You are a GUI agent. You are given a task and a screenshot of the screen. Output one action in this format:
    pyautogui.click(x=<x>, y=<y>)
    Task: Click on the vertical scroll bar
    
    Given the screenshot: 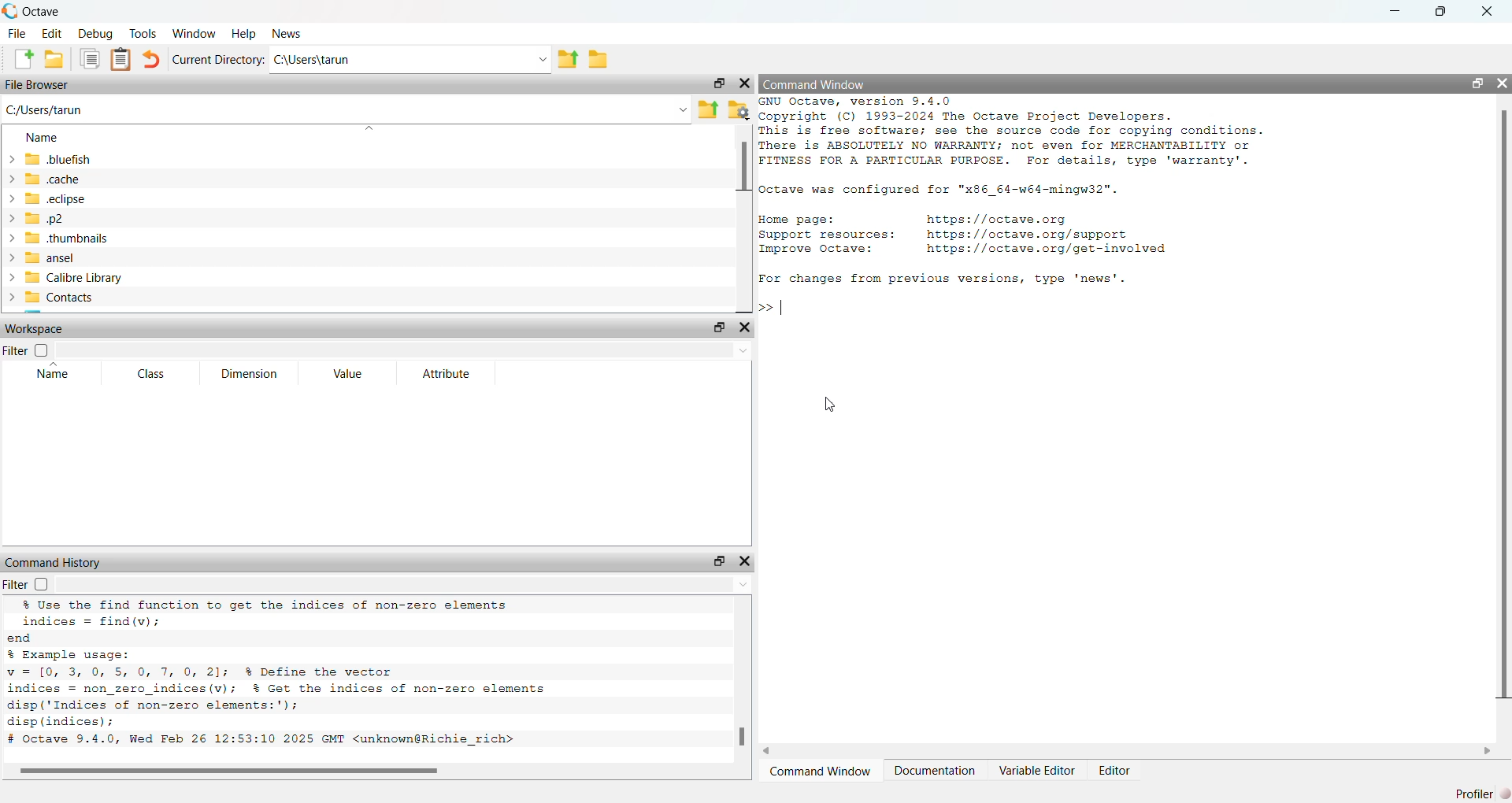 What is the action you would take?
    pyautogui.click(x=743, y=217)
    